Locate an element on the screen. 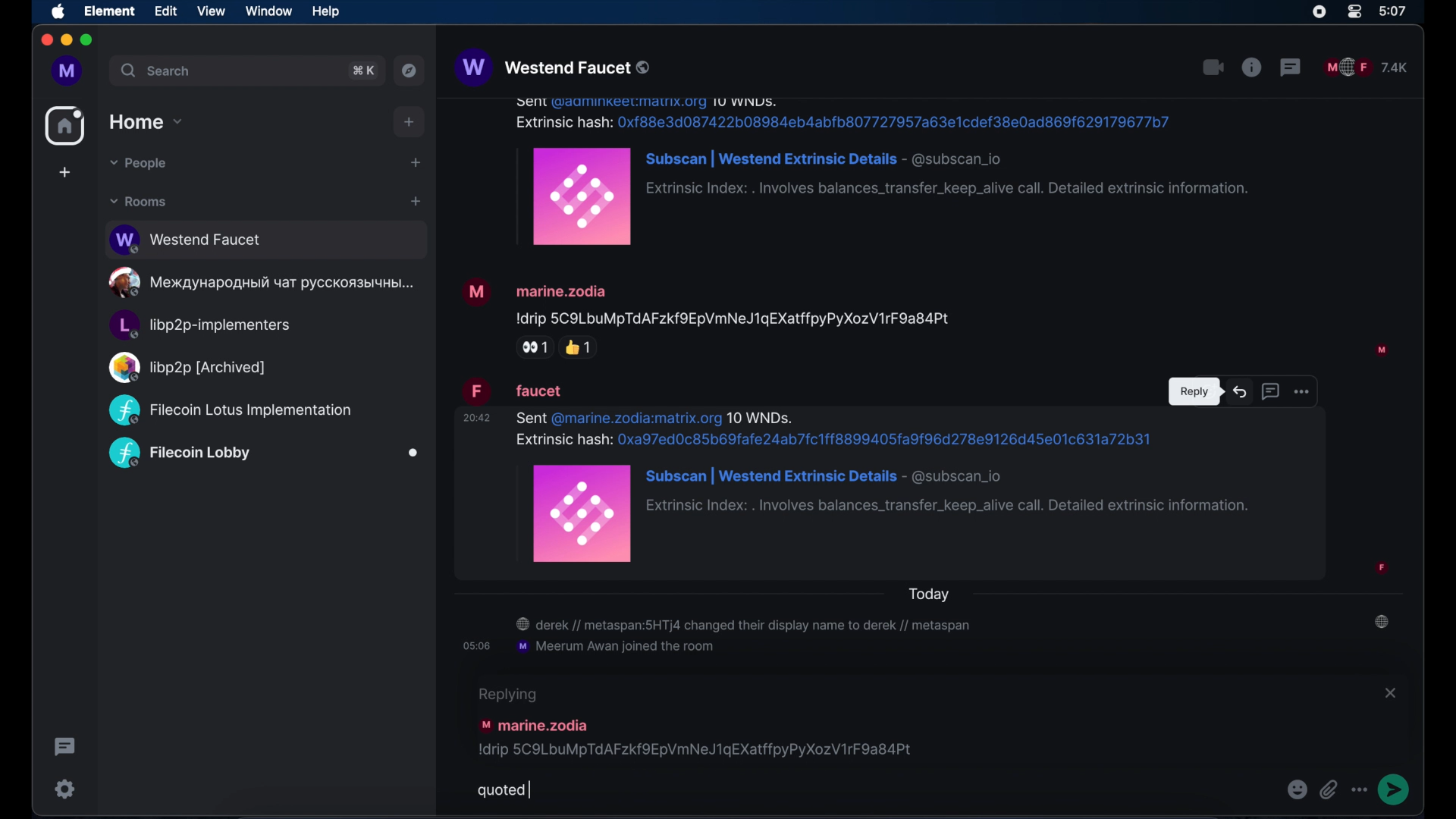 The height and width of the screenshot is (819, 1456). emoji is located at coordinates (1296, 789).